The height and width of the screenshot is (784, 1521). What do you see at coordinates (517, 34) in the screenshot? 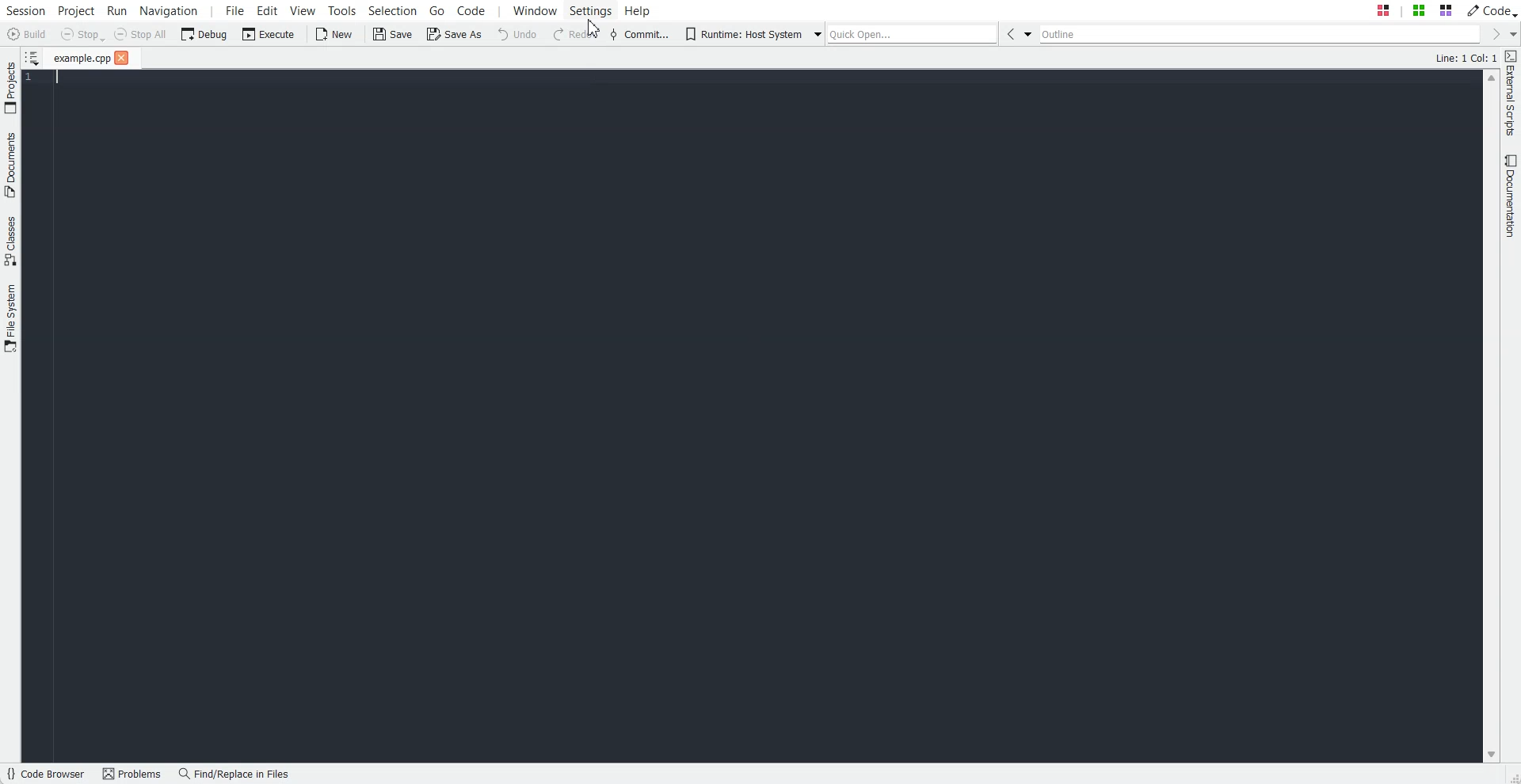
I see `Undo` at bounding box center [517, 34].